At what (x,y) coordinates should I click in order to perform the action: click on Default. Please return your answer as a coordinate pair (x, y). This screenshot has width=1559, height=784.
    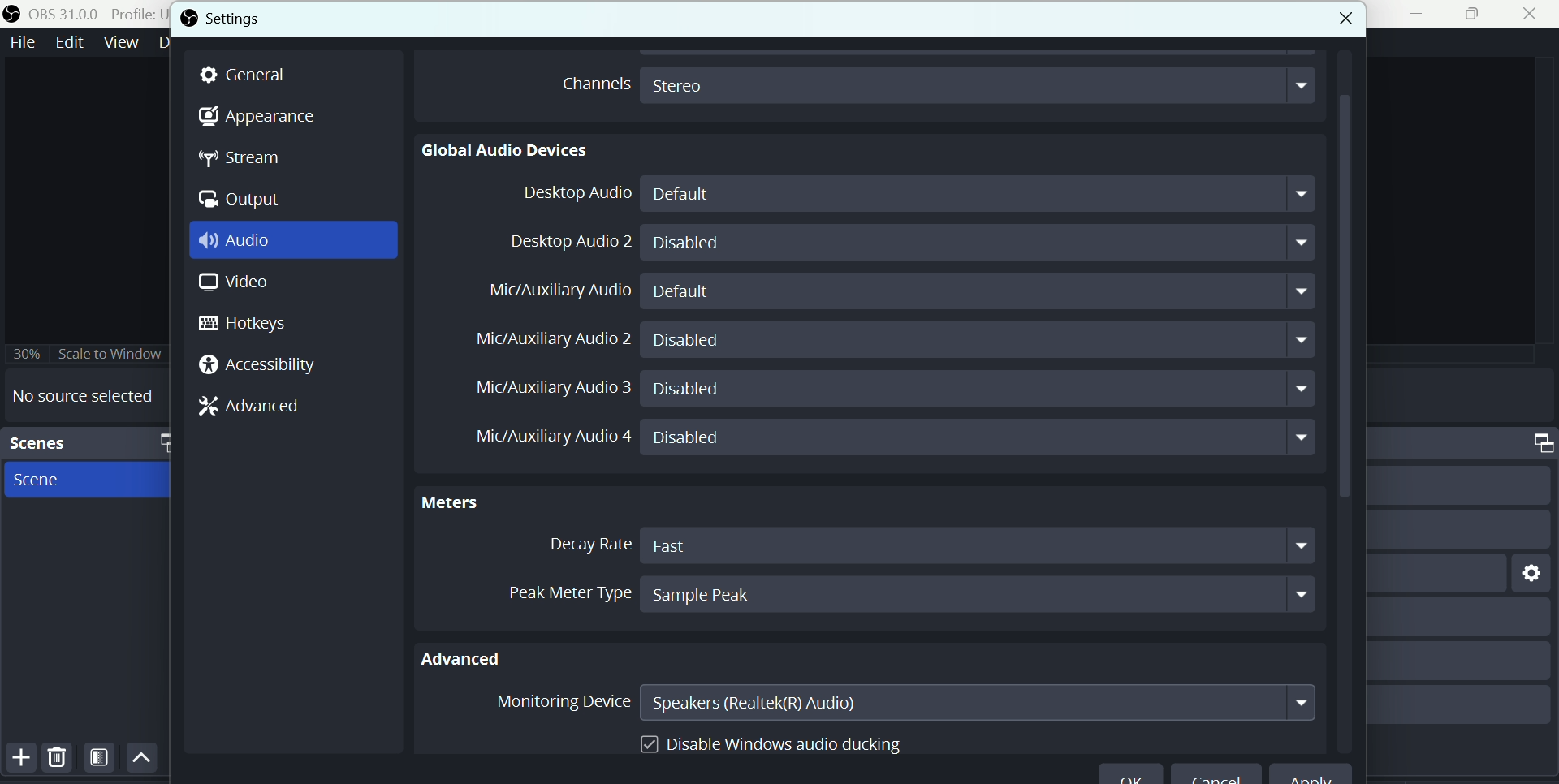
    Looking at the image, I should click on (983, 194).